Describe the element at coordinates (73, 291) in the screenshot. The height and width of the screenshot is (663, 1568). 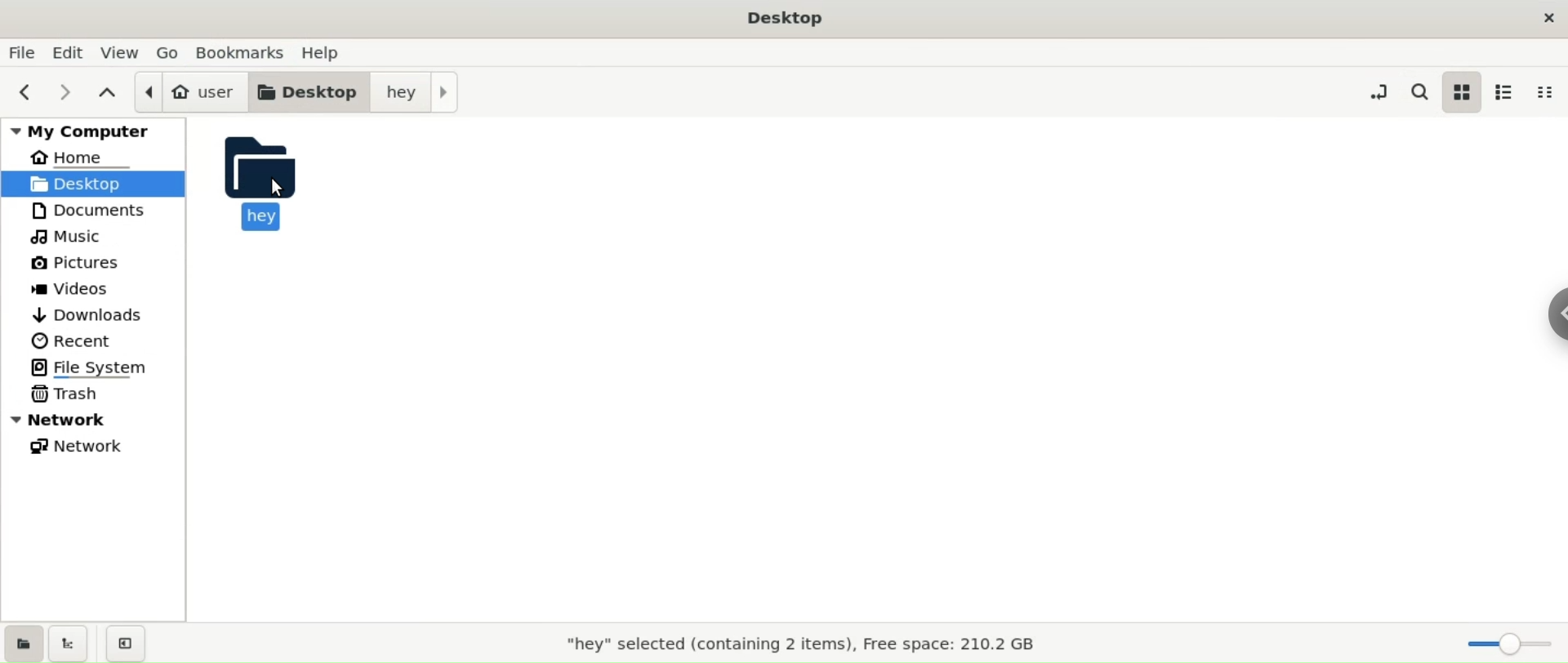
I see `videos` at that location.